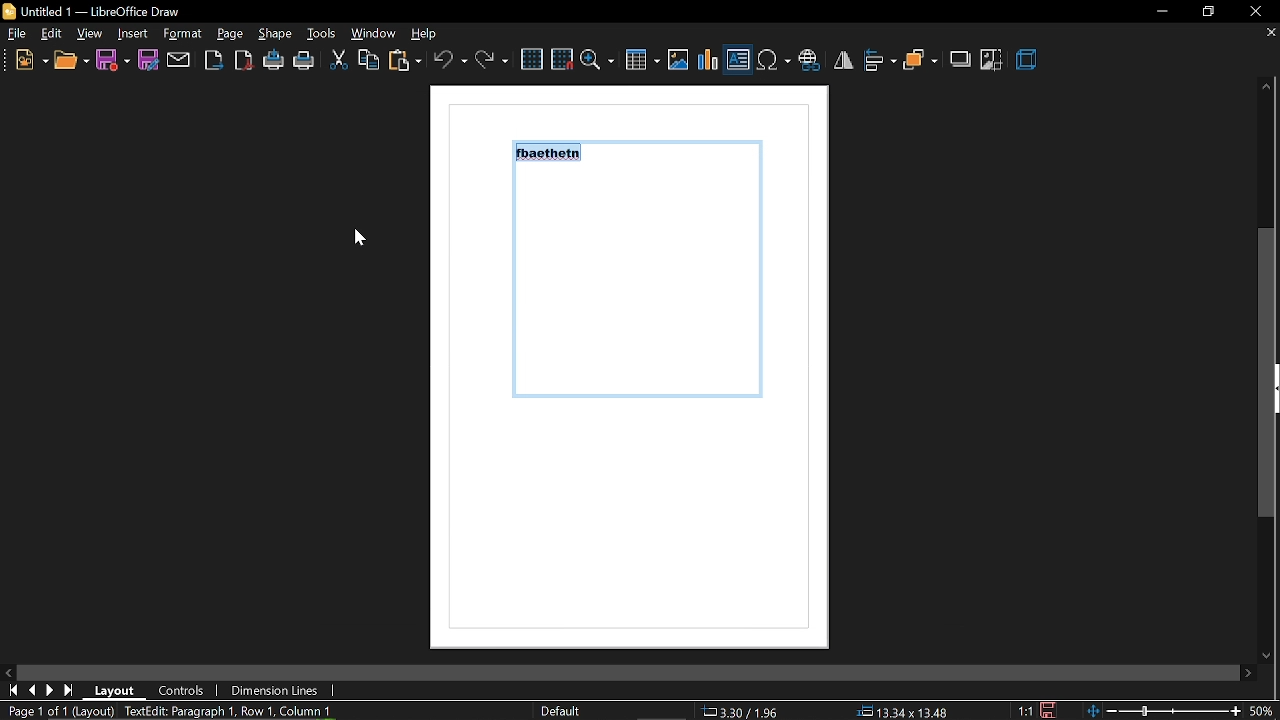 The width and height of the screenshot is (1280, 720). I want to click on Minimize, so click(1161, 12).